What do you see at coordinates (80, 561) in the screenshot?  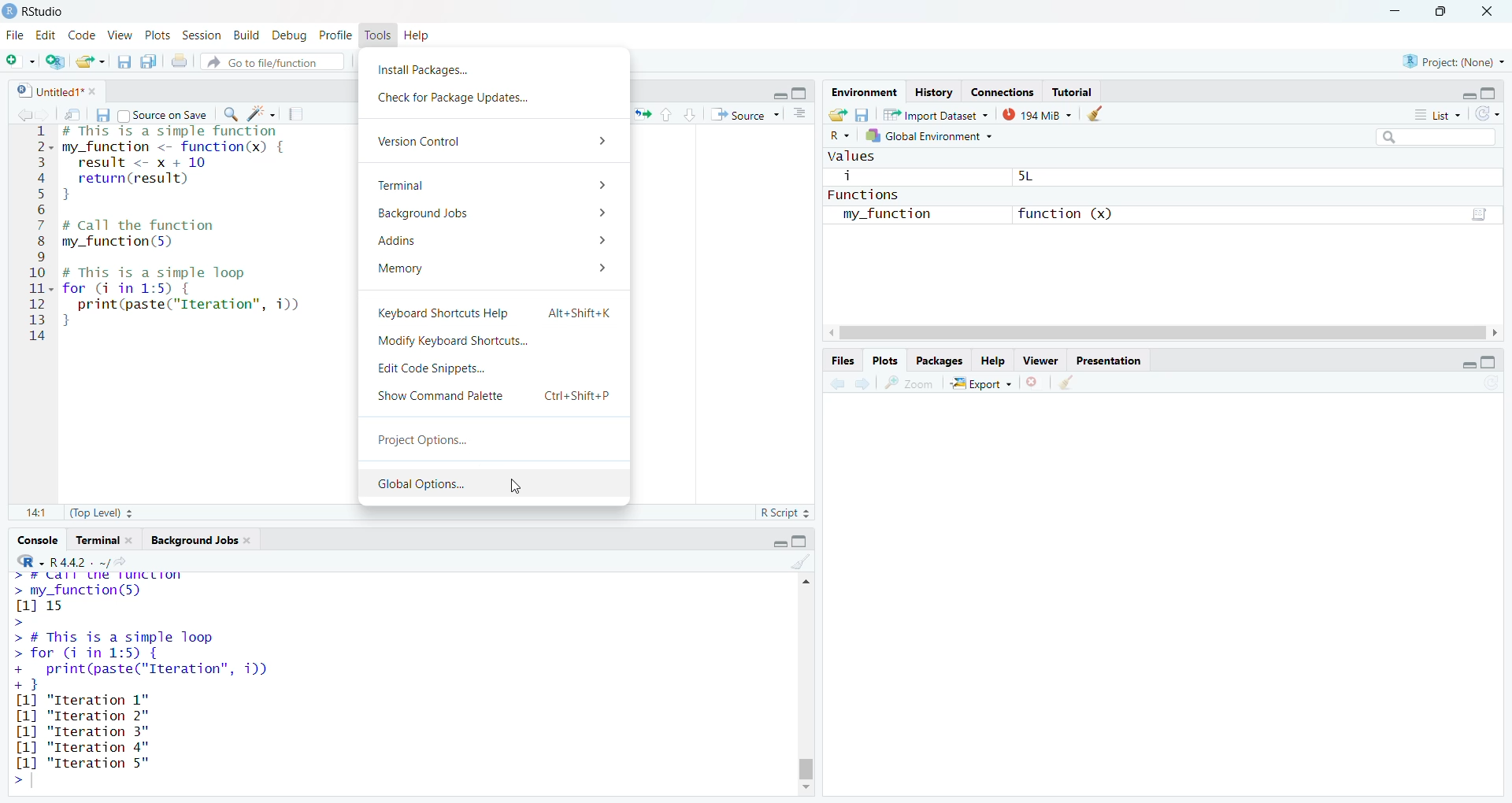 I see `R 4.4.2 . ~/` at bounding box center [80, 561].